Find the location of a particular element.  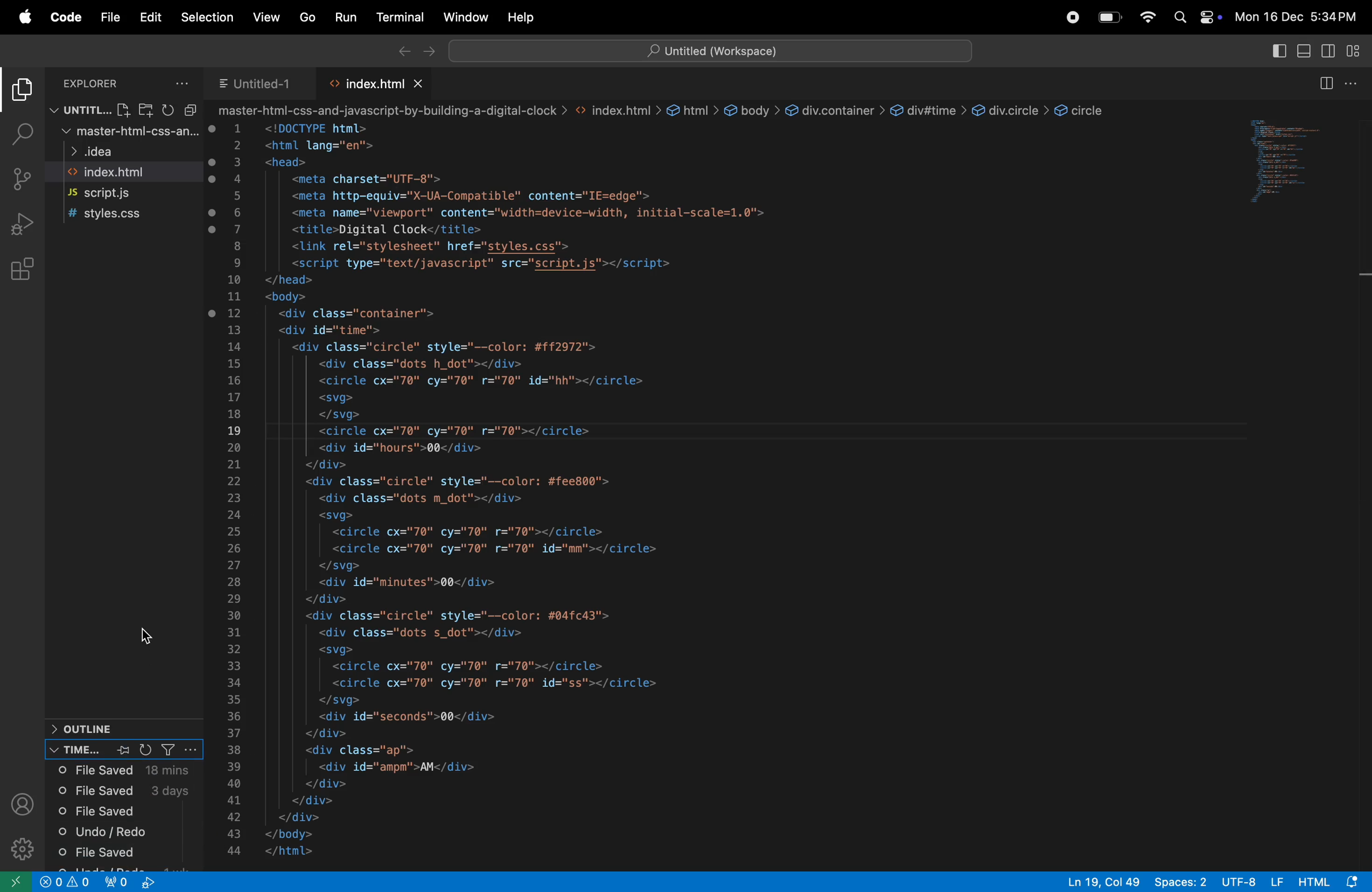

run is located at coordinates (348, 18).